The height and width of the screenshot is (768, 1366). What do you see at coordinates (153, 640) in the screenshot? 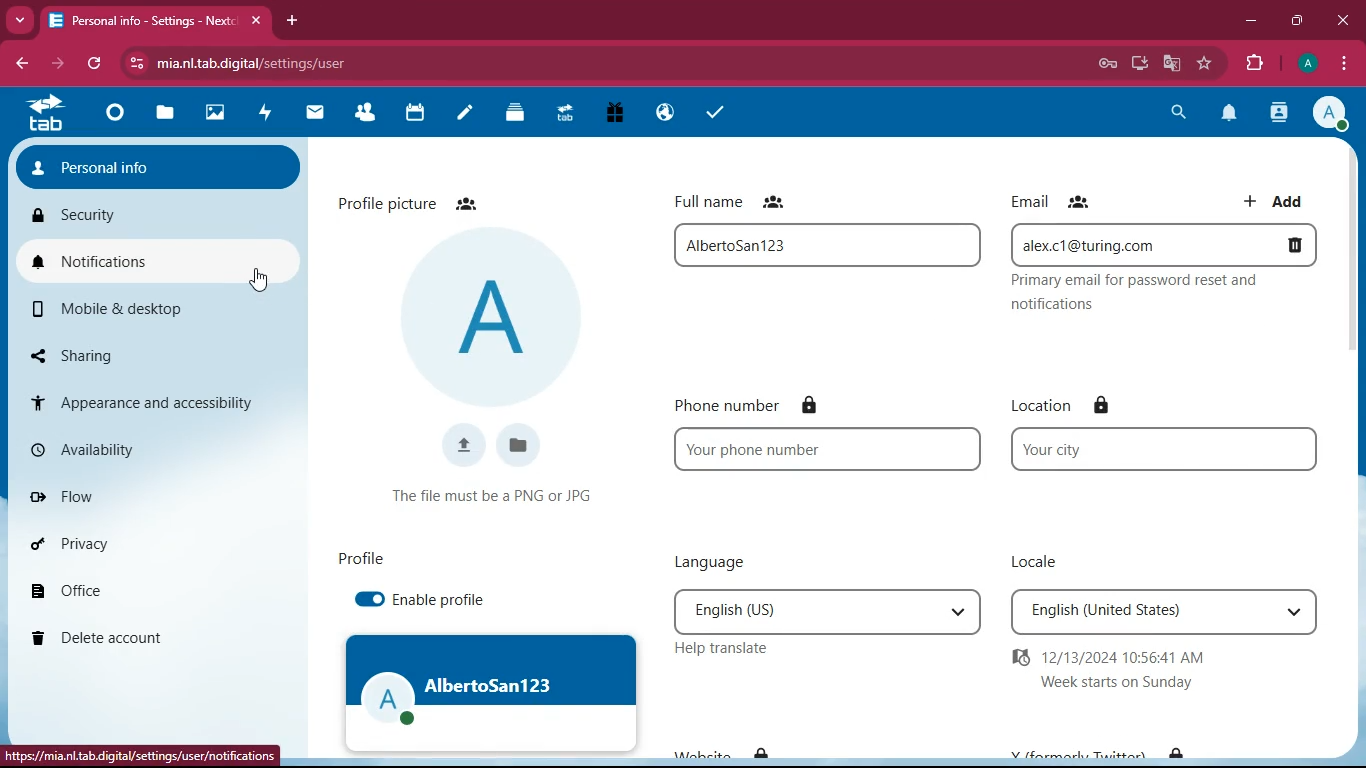
I see `delete account` at bounding box center [153, 640].